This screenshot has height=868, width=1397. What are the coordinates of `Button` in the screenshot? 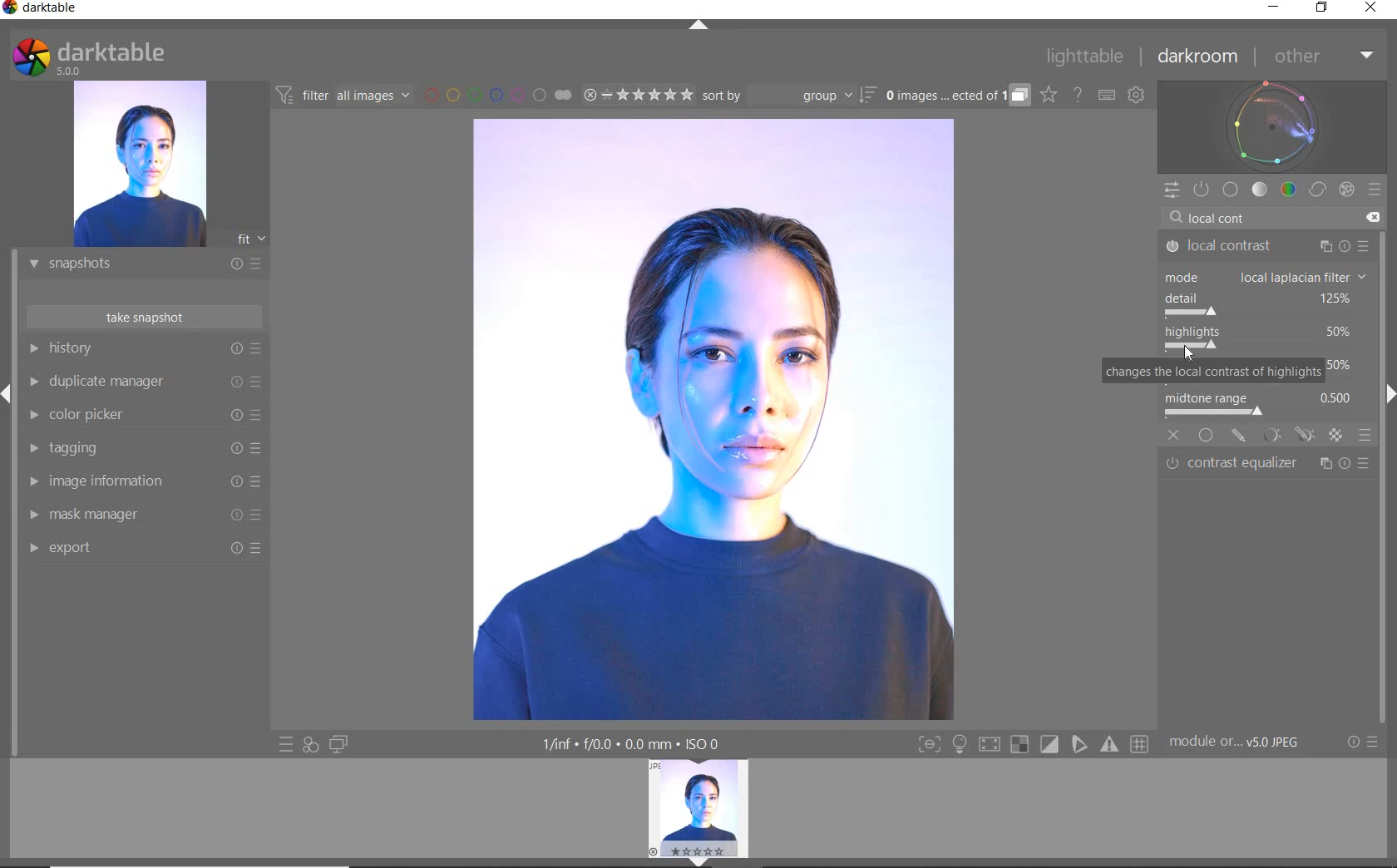 It's located at (1019, 745).